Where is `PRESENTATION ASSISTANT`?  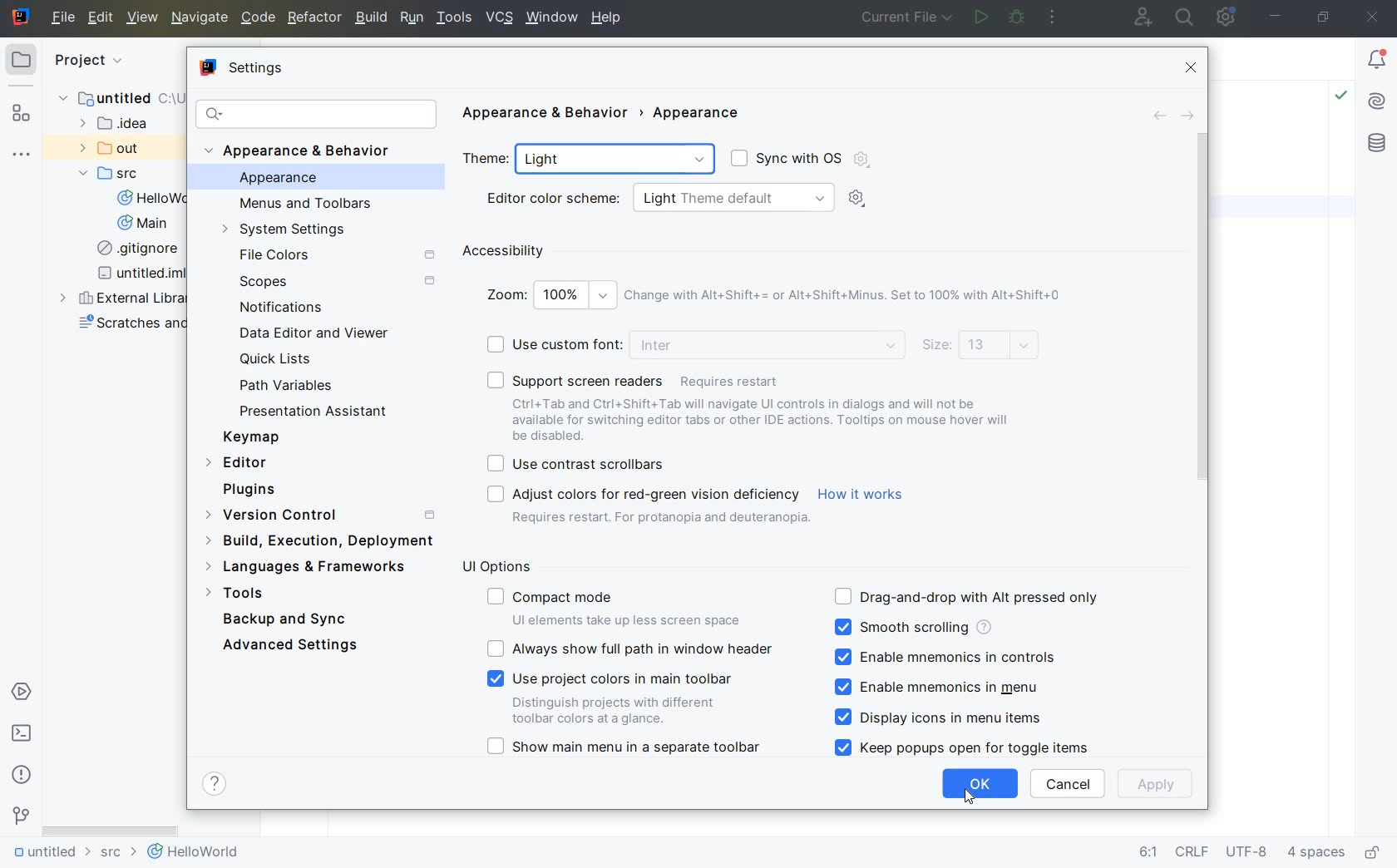
PRESENTATION ASSISTANT is located at coordinates (319, 412).